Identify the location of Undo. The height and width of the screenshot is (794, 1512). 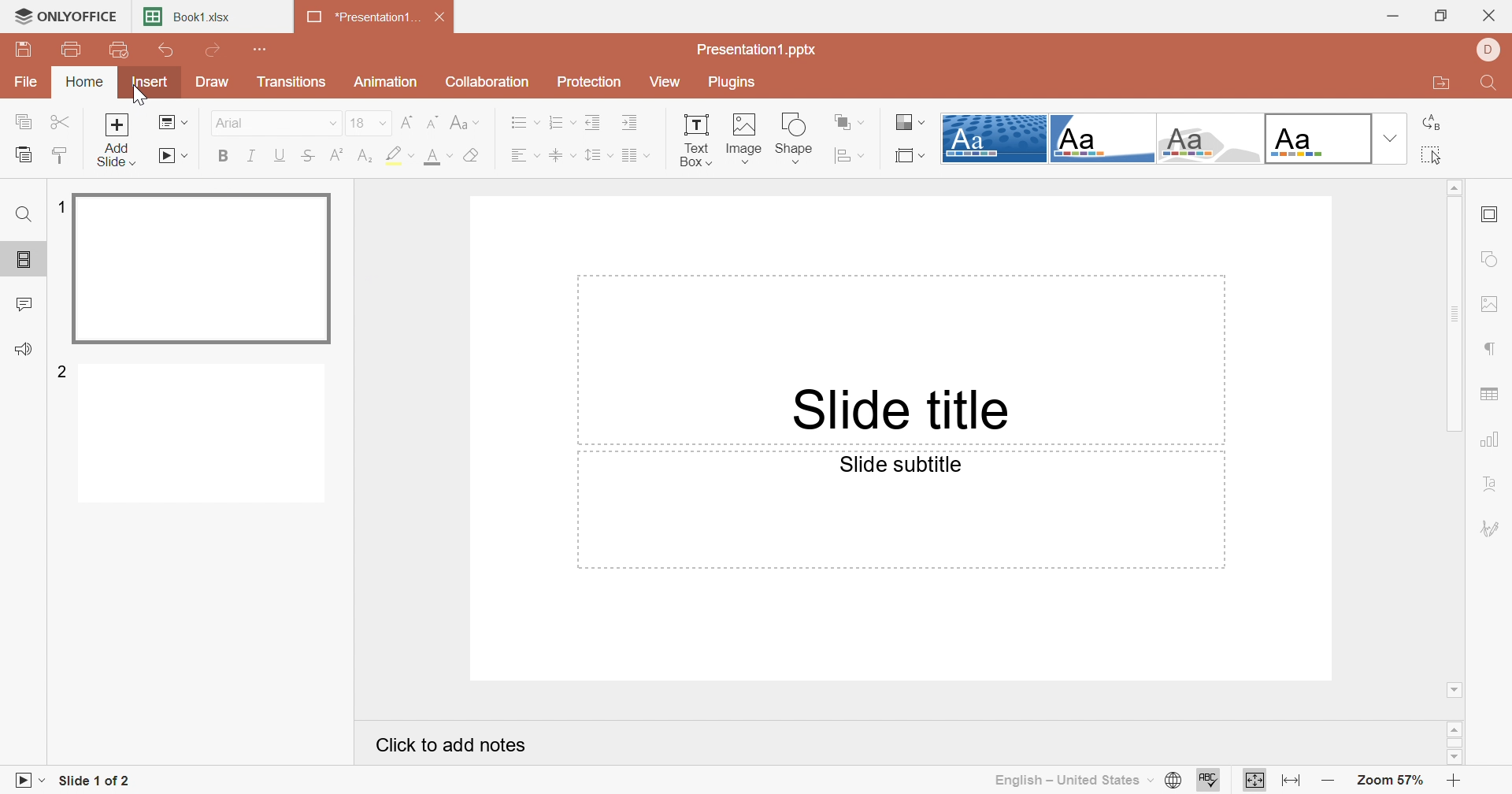
(166, 54).